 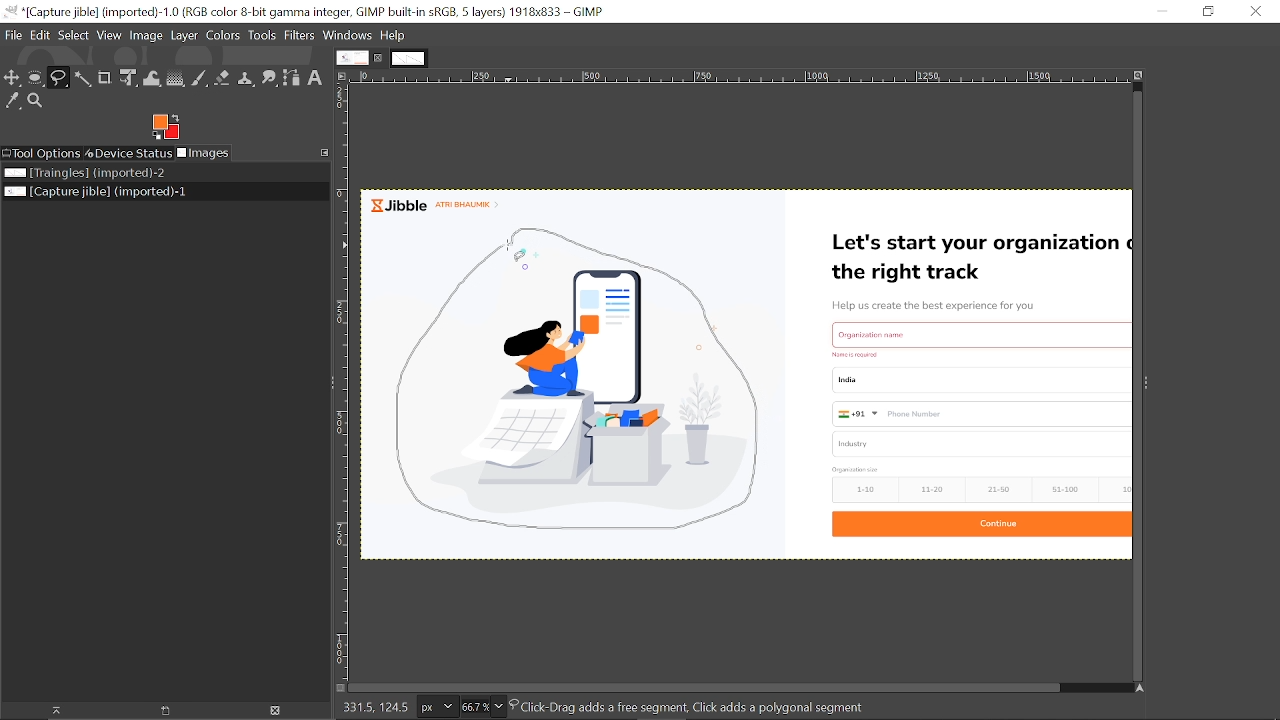 I want to click on Layer, so click(x=184, y=37).